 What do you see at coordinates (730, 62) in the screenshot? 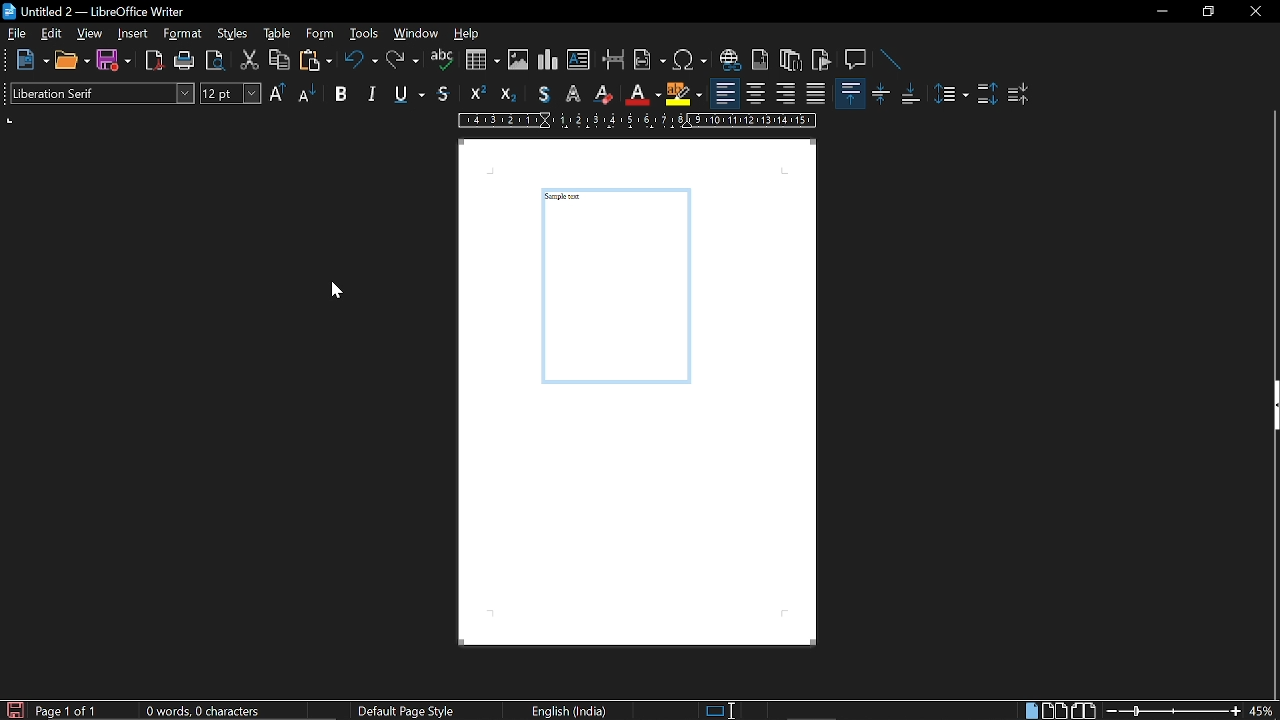
I see `insert hyperlink` at bounding box center [730, 62].